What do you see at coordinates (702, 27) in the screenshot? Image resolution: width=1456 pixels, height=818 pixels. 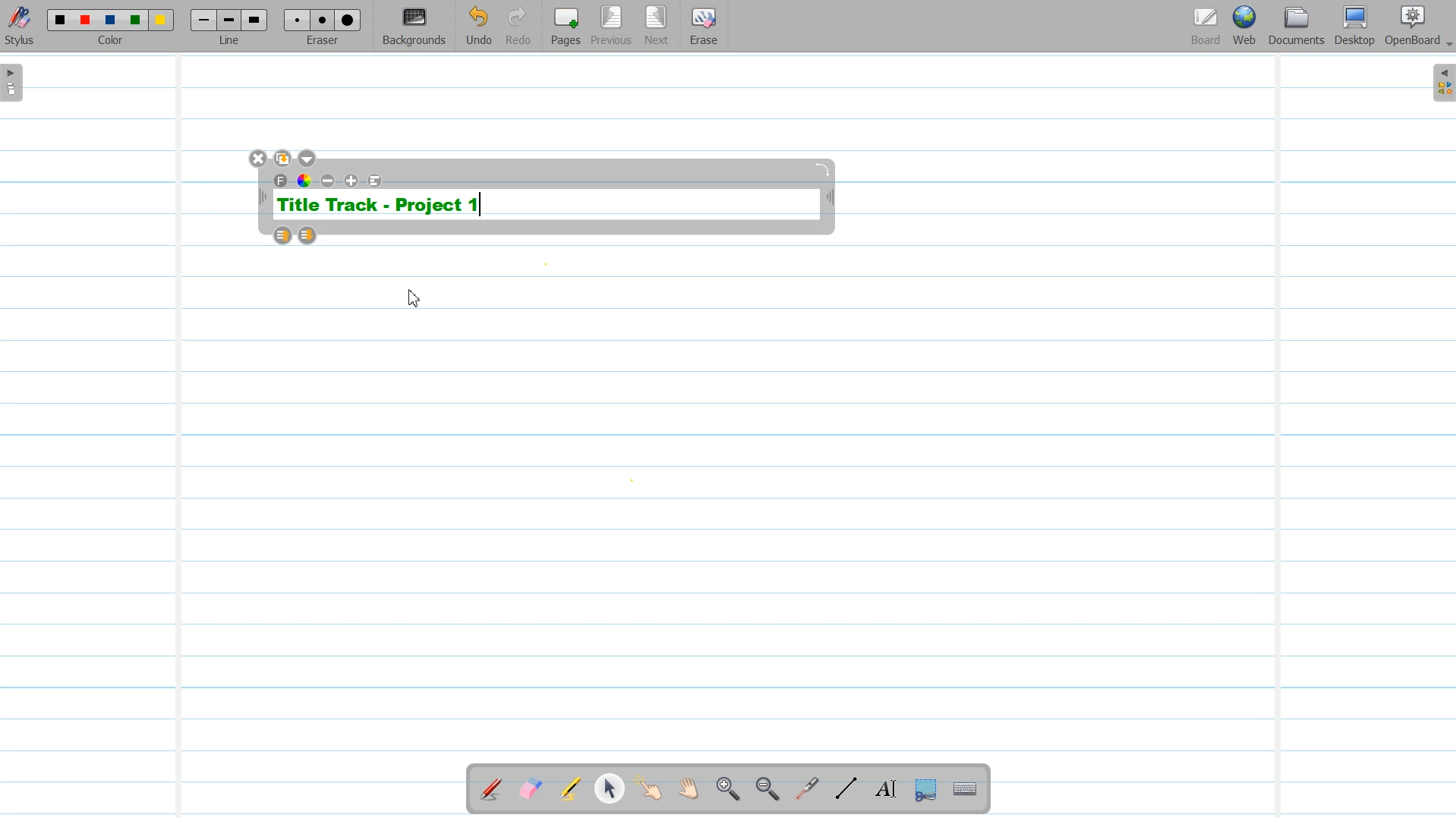 I see `Erase` at bounding box center [702, 27].